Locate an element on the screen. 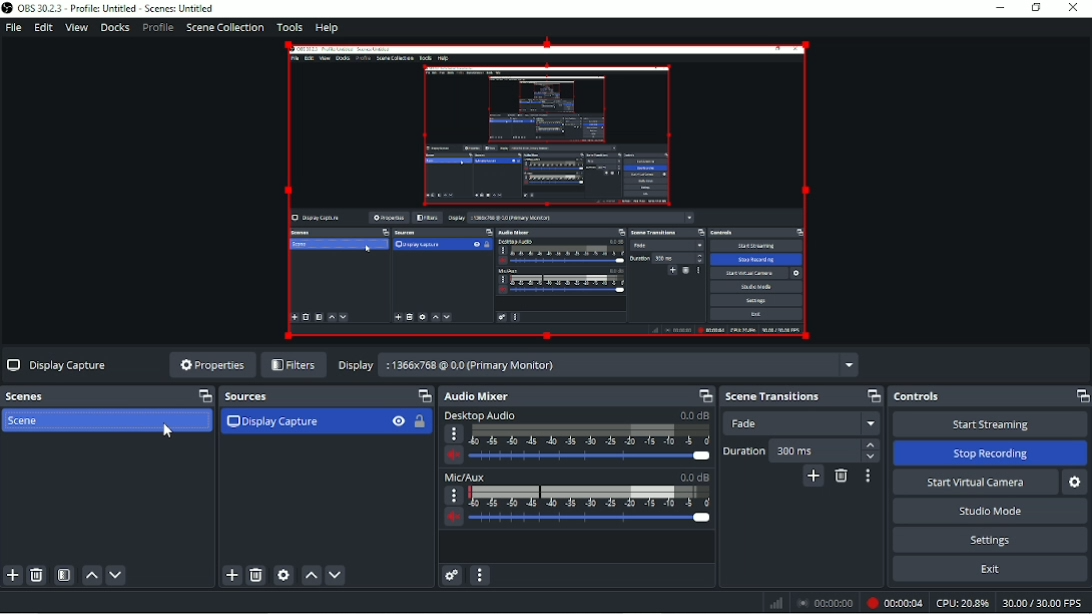  File is located at coordinates (14, 28).